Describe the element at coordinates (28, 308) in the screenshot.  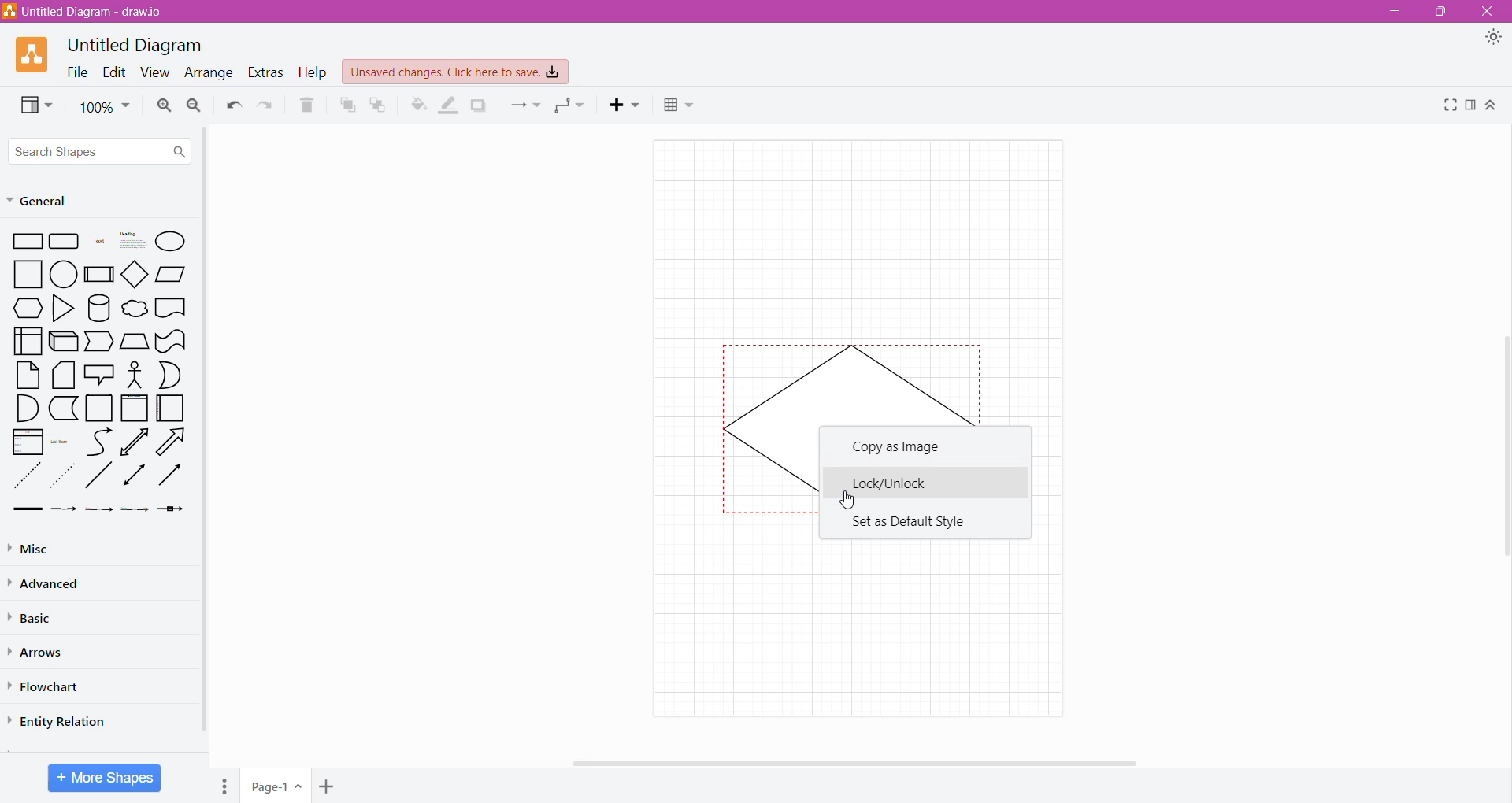
I see `Hexagon` at that location.